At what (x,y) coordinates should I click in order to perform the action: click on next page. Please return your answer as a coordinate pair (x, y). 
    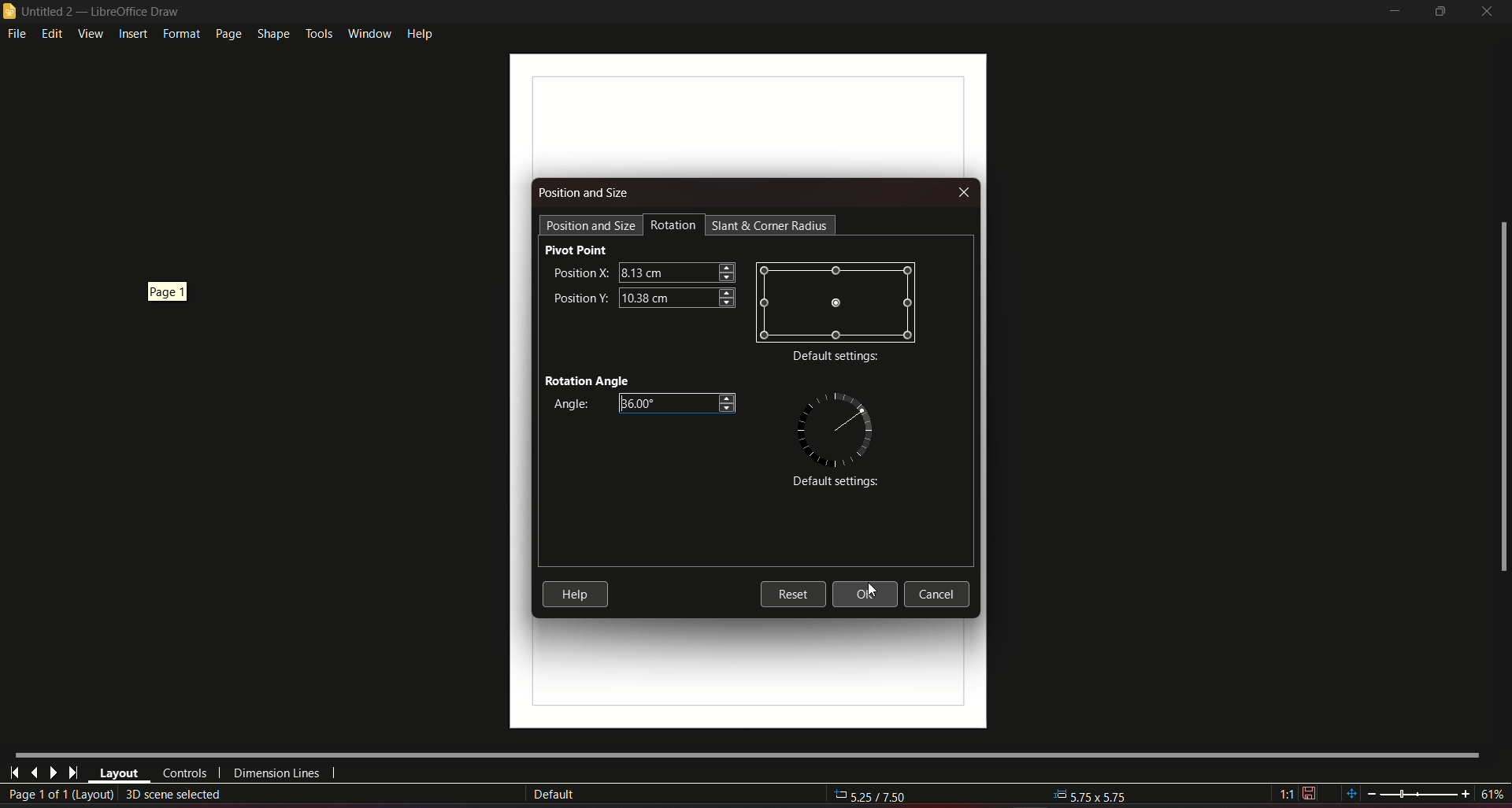
    Looking at the image, I should click on (53, 773).